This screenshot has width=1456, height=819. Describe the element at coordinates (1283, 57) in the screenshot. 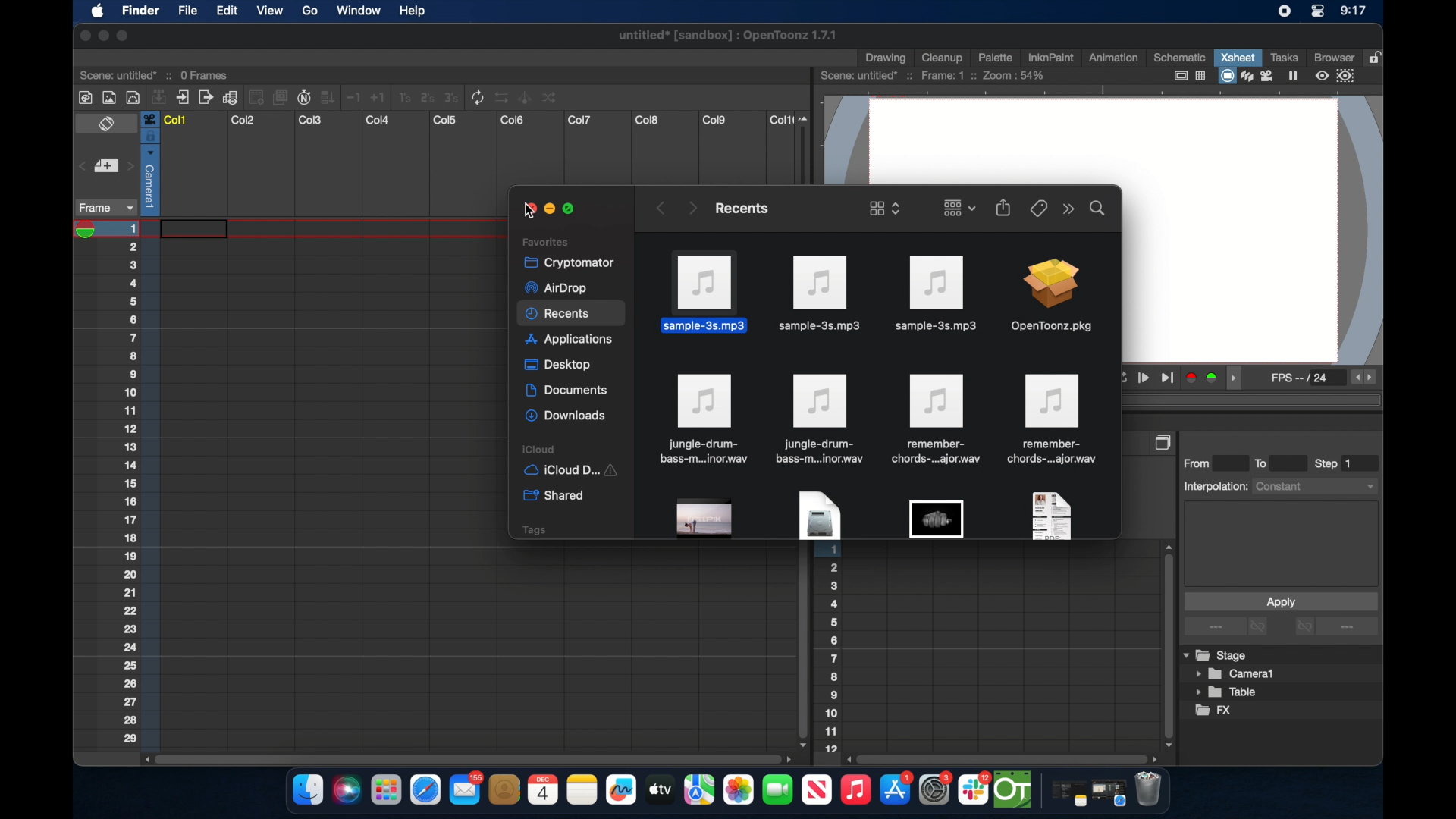

I see `tasks` at that location.